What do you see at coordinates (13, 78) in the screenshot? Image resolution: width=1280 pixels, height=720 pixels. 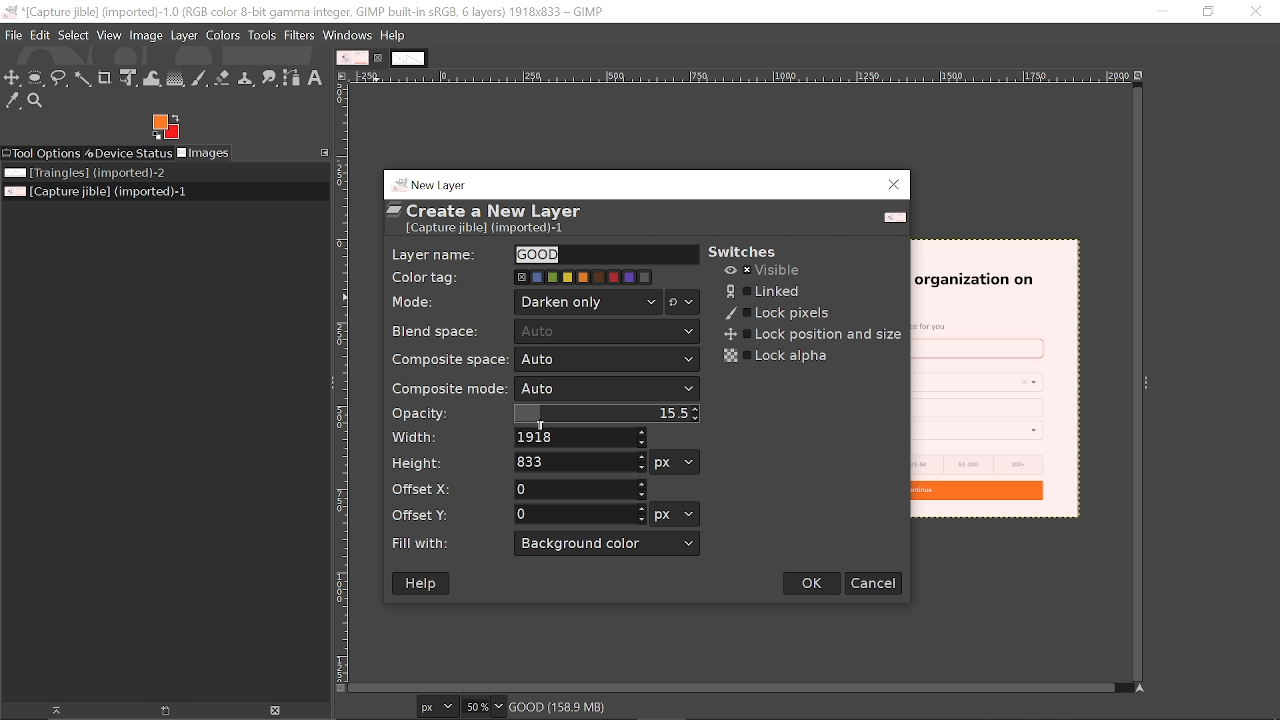 I see `Move tool` at bounding box center [13, 78].